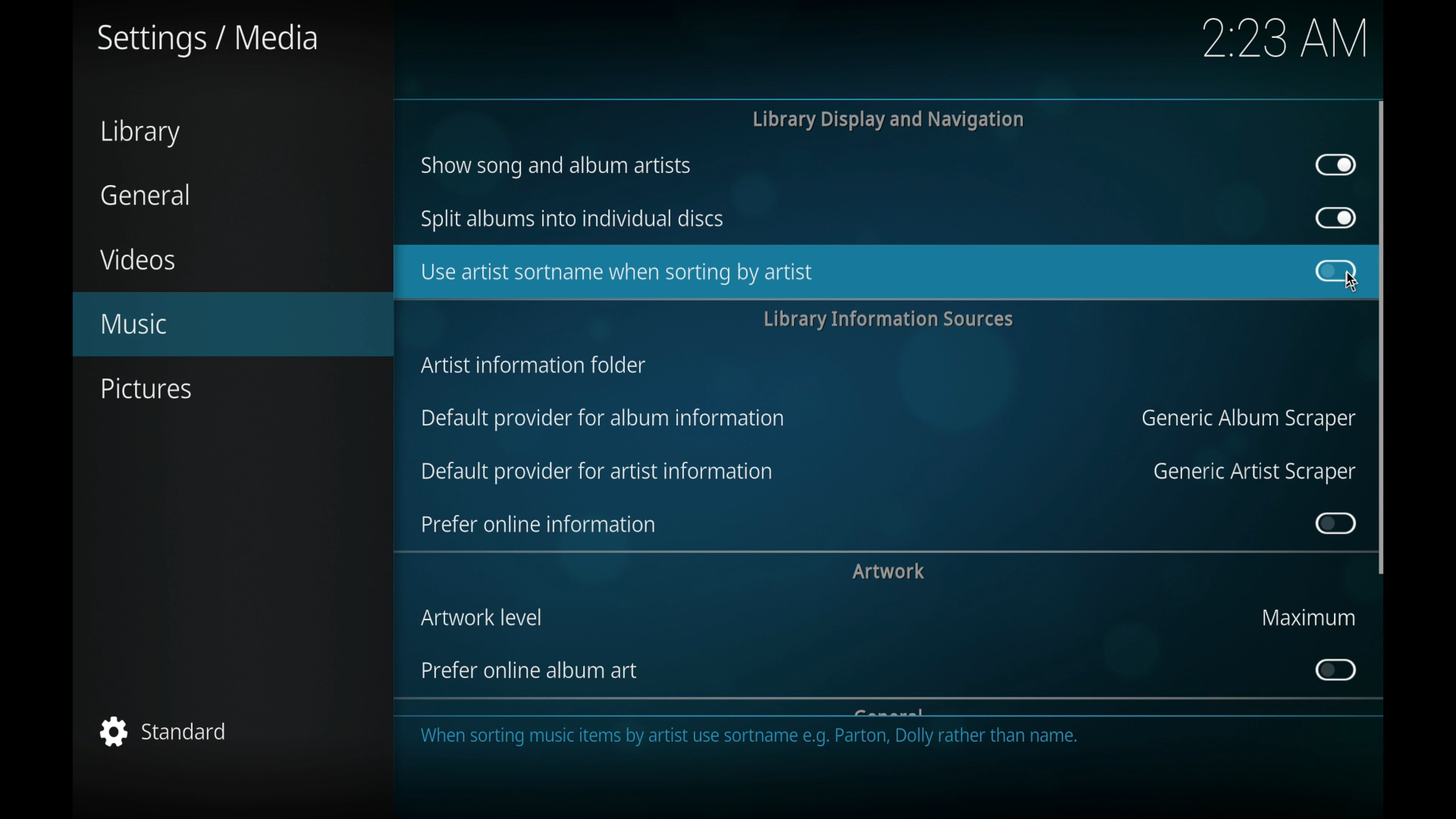 This screenshot has width=1456, height=819. Describe the element at coordinates (605, 419) in the screenshot. I see `default provider for album information` at that location.